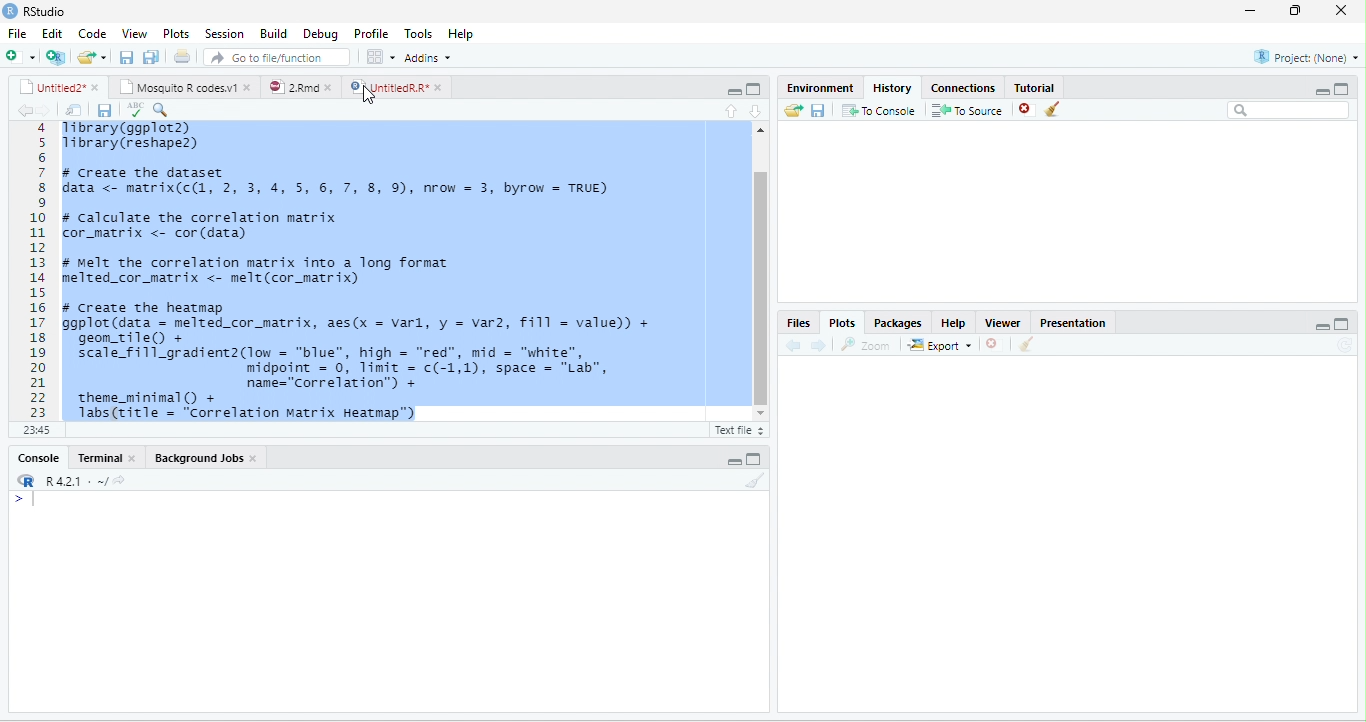 Image resolution: width=1366 pixels, height=722 pixels. Describe the element at coordinates (759, 272) in the screenshot. I see `SLIDE BAR` at that location.